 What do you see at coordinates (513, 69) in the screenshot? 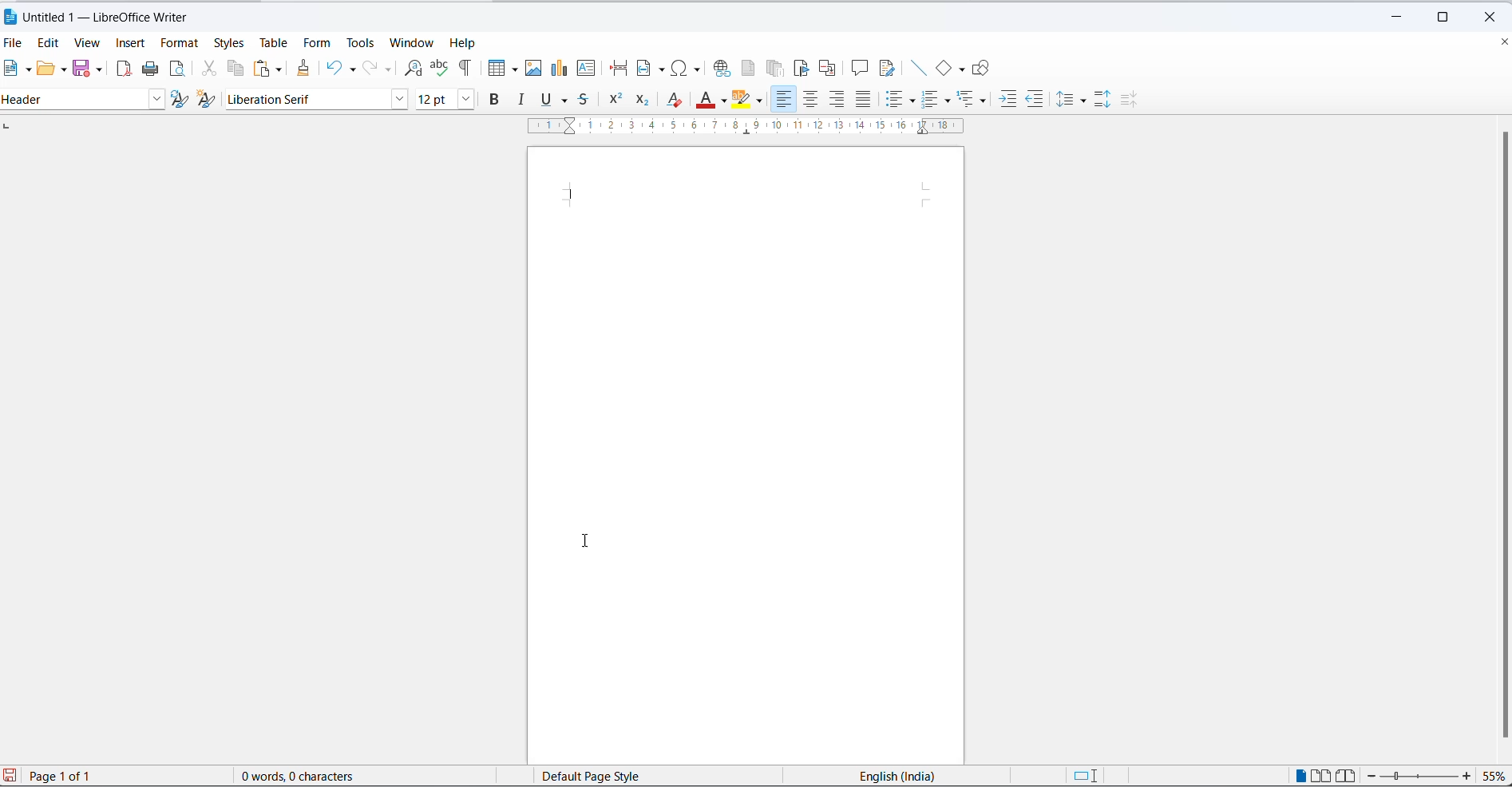
I see `table grid` at bounding box center [513, 69].